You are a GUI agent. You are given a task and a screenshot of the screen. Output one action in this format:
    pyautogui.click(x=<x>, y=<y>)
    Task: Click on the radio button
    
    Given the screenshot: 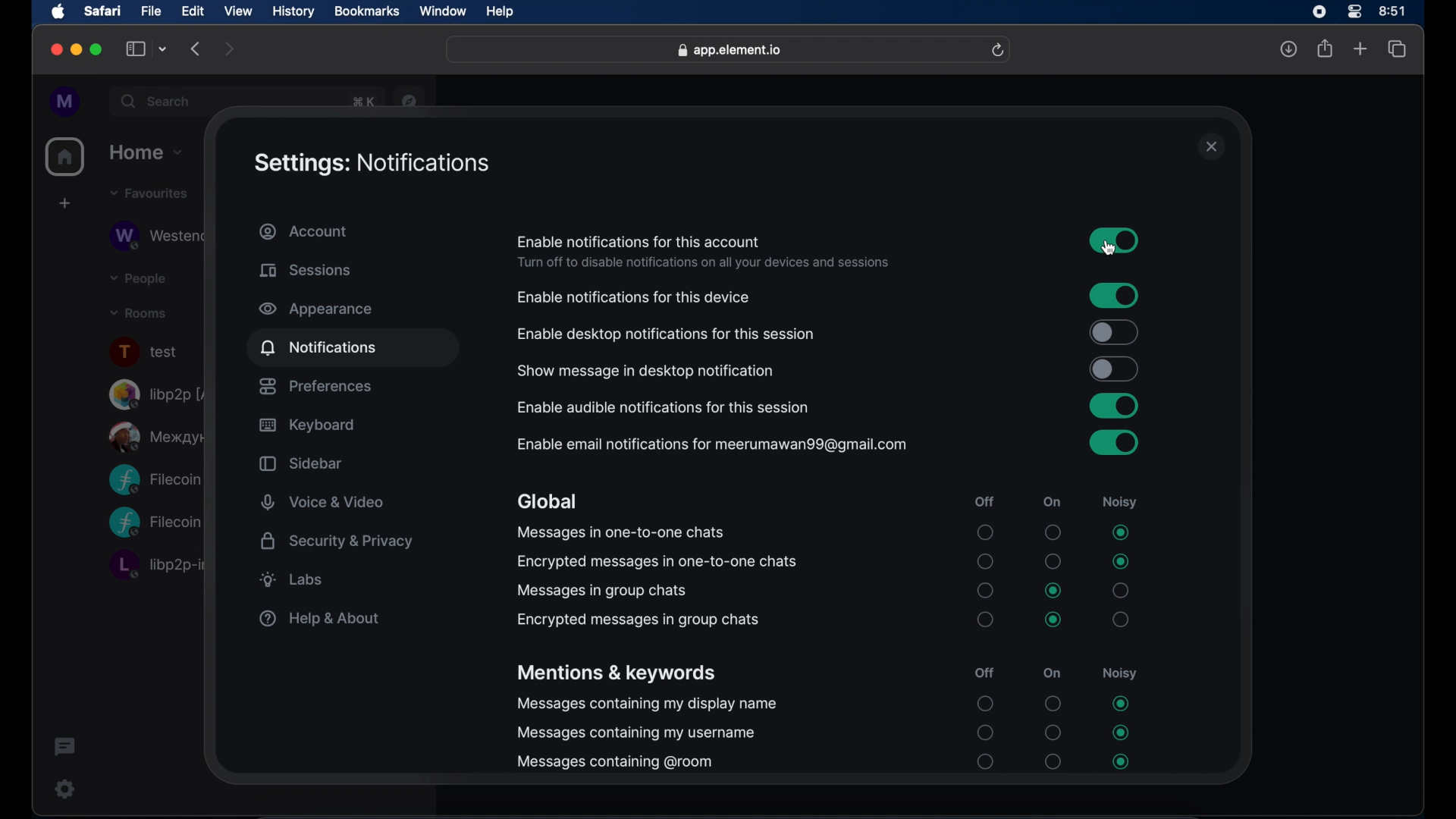 What is the action you would take?
    pyautogui.click(x=1053, y=590)
    